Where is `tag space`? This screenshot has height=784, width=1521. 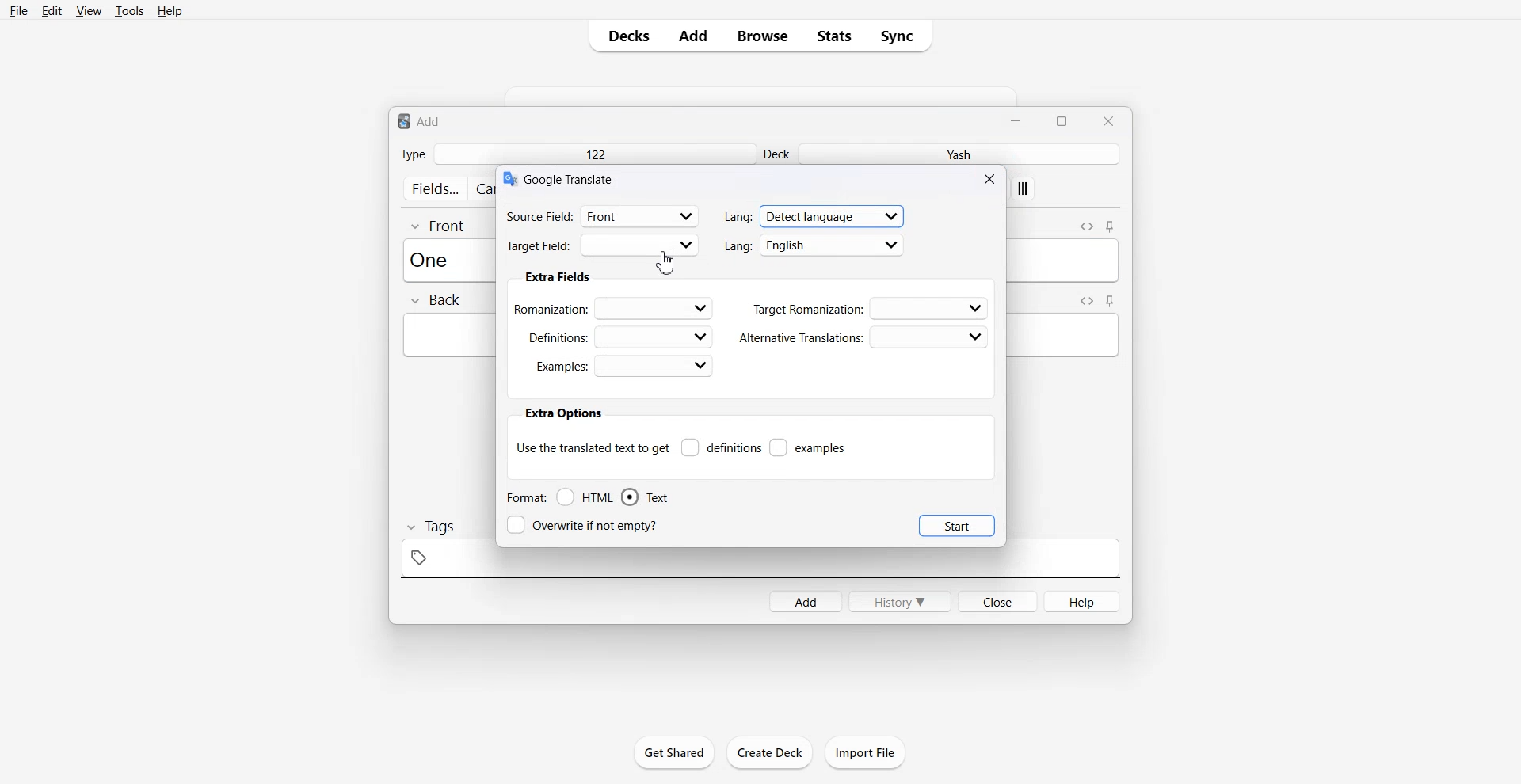 tag space is located at coordinates (760, 563).